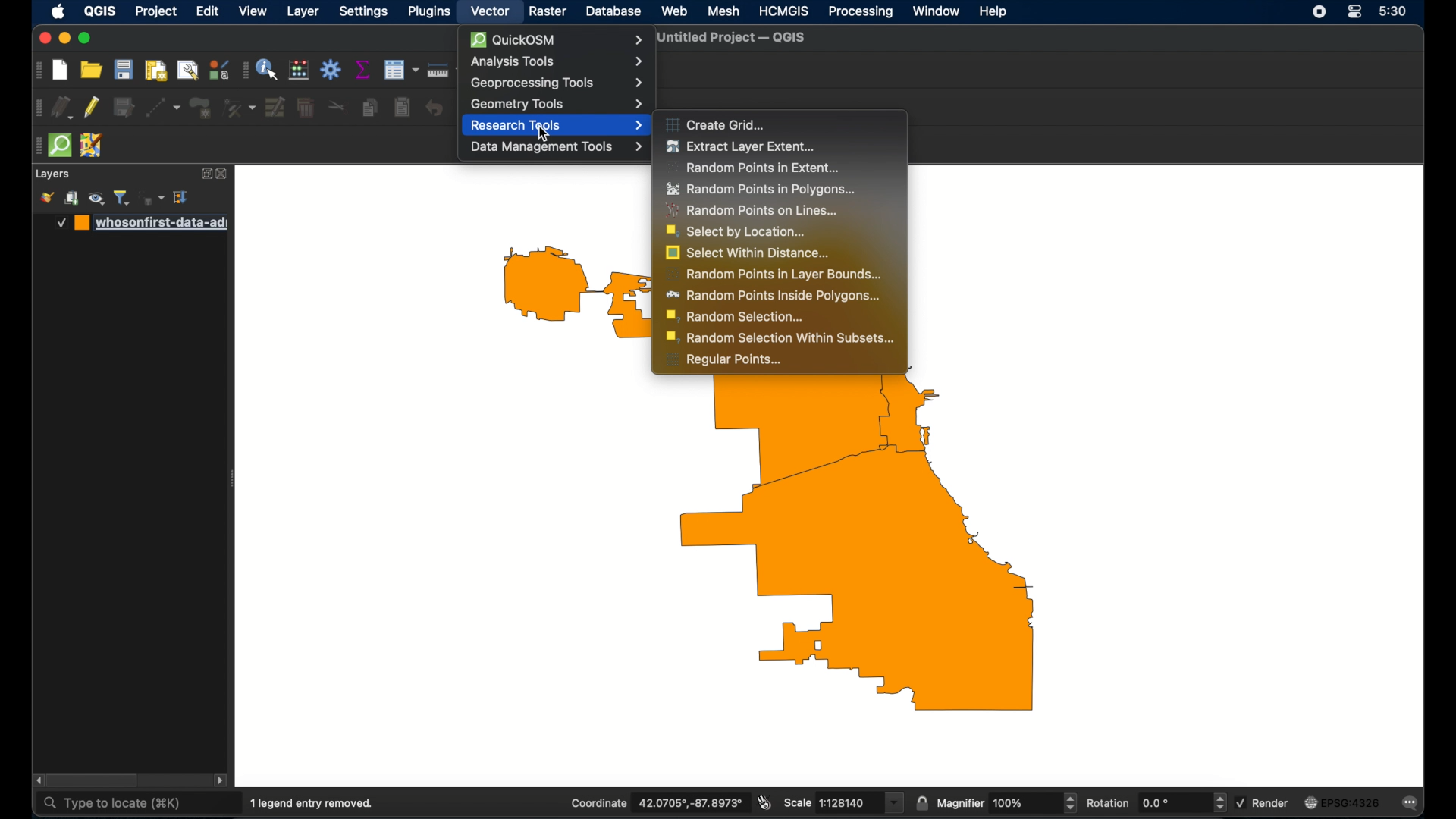  I want to click on measure line, so click(444, 71).